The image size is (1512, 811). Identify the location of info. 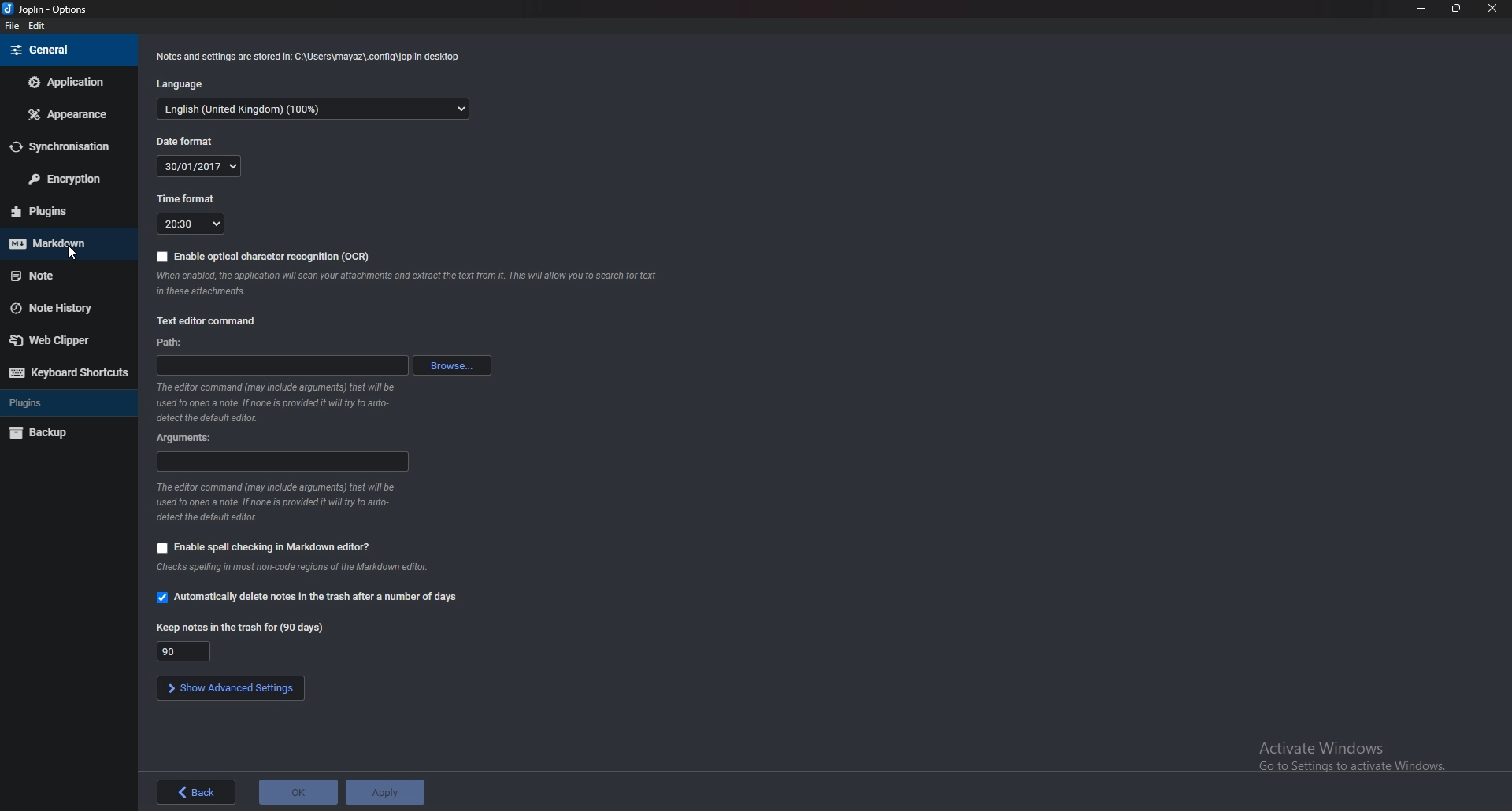
(278, 403).